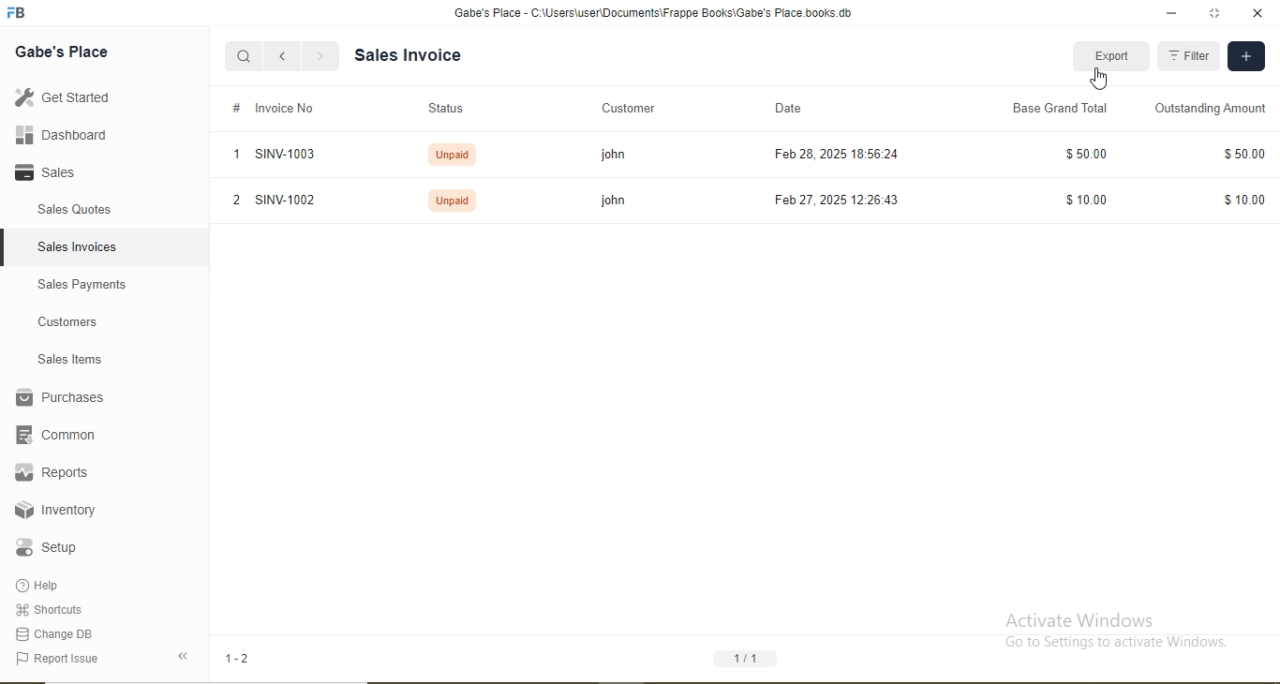 The image size is (1280, 684). I want to click on Gabe's Place, so click(64, 51).